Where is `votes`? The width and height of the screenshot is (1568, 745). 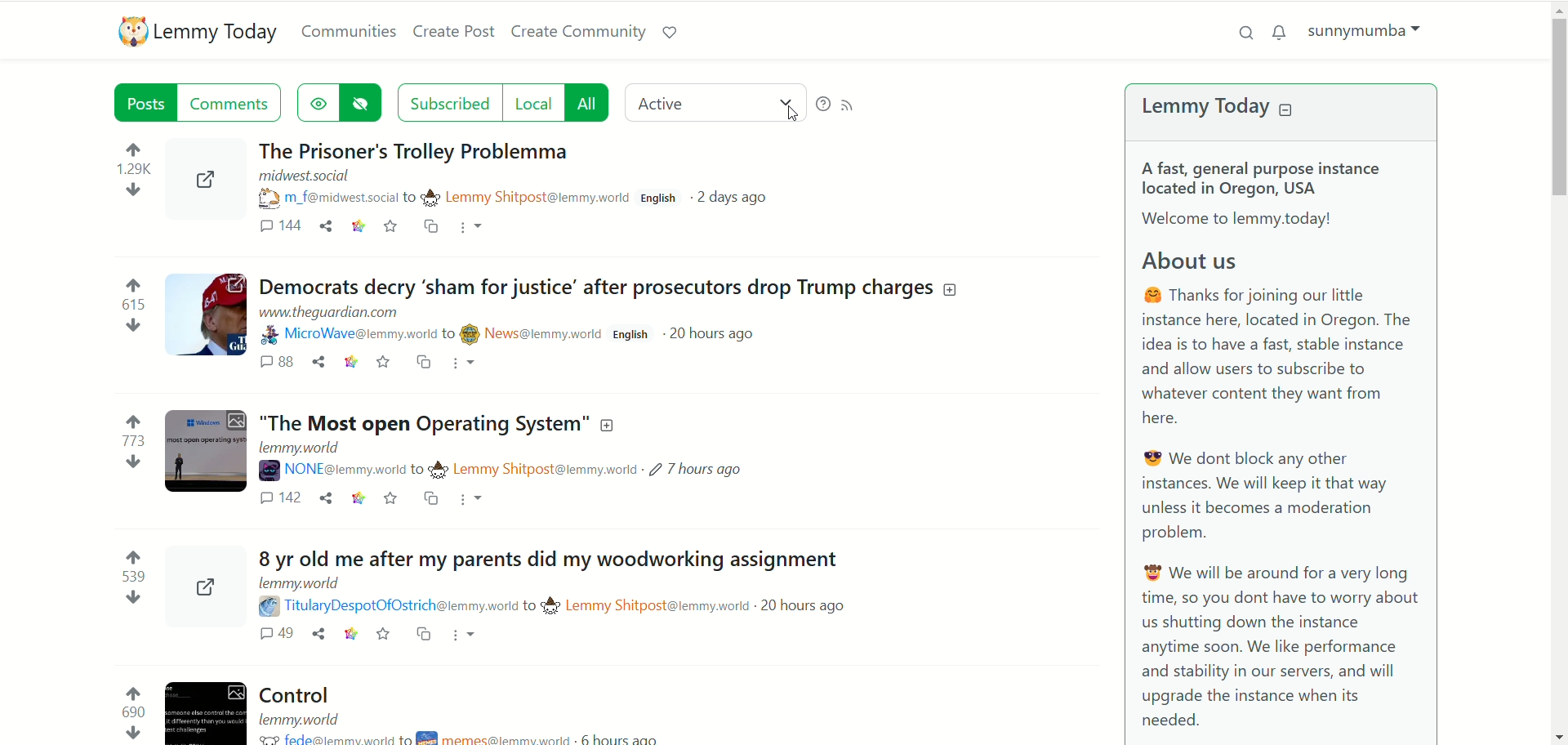
votes is located at coordinates (131, 307).